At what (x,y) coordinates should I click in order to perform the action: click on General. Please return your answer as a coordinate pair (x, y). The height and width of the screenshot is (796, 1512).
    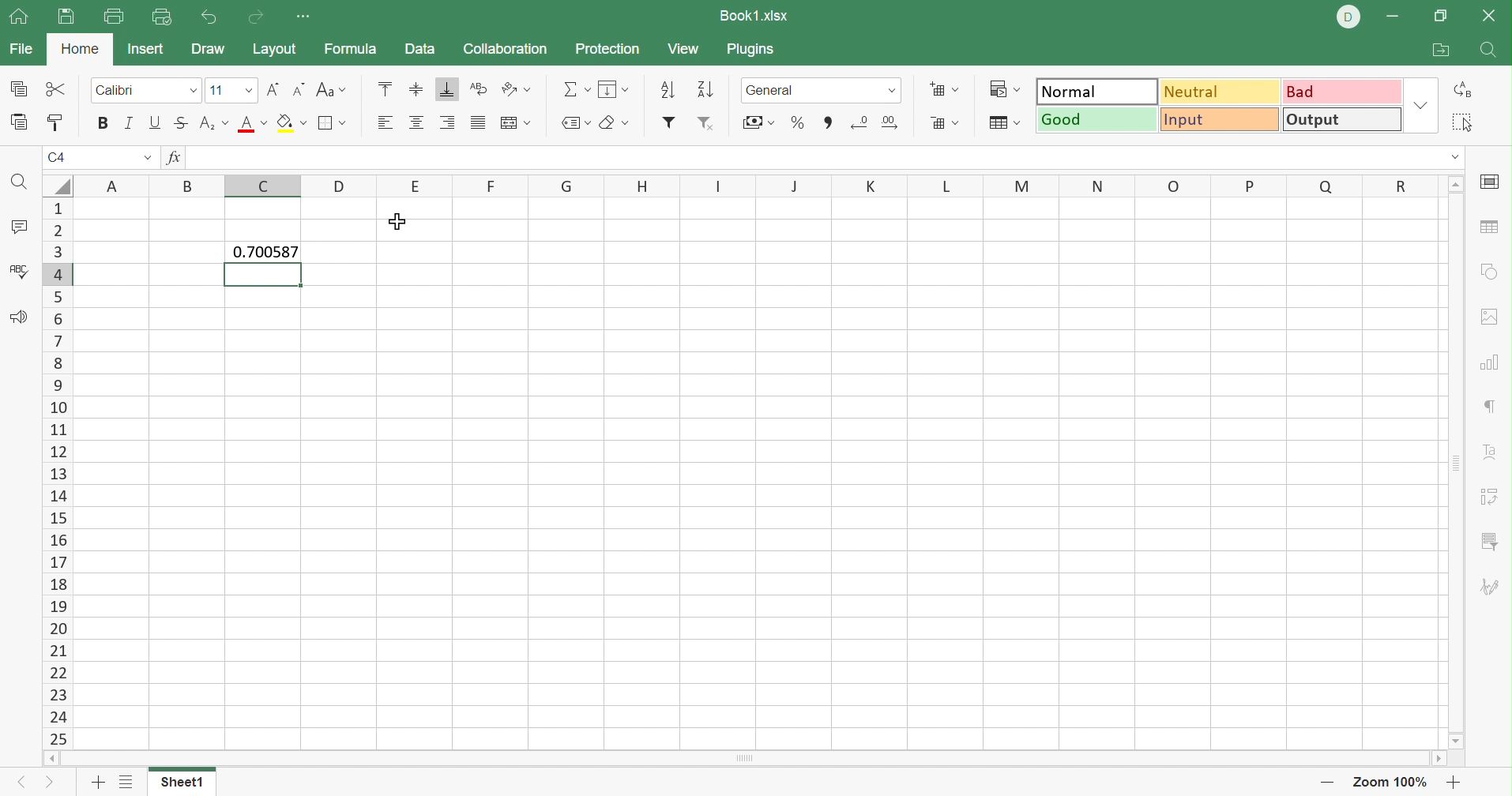
    Looking at the image, I should click on (805, 90).